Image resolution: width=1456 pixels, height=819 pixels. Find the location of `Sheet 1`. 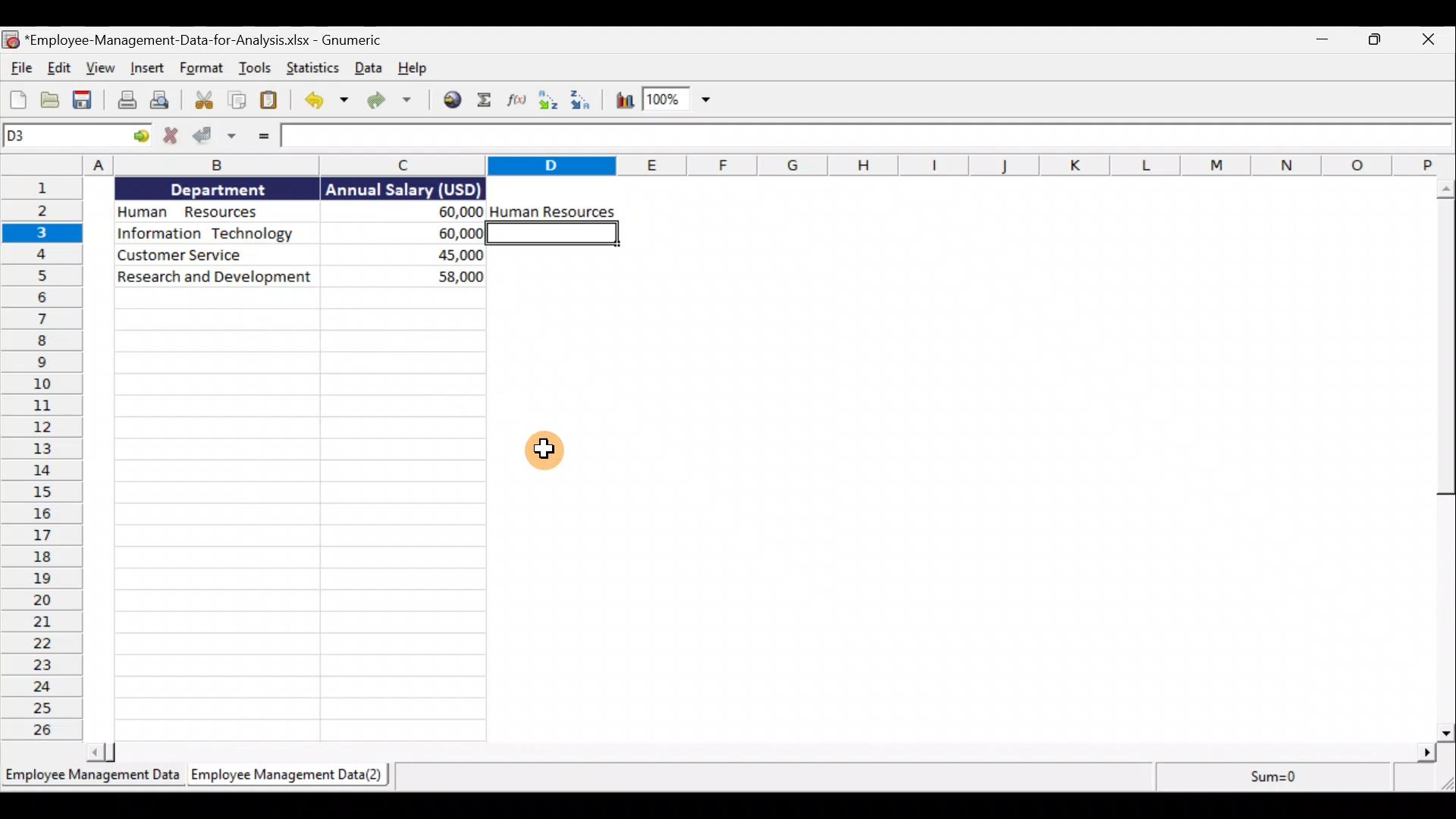

Sheet 1 is located at coordinates (91, 777).